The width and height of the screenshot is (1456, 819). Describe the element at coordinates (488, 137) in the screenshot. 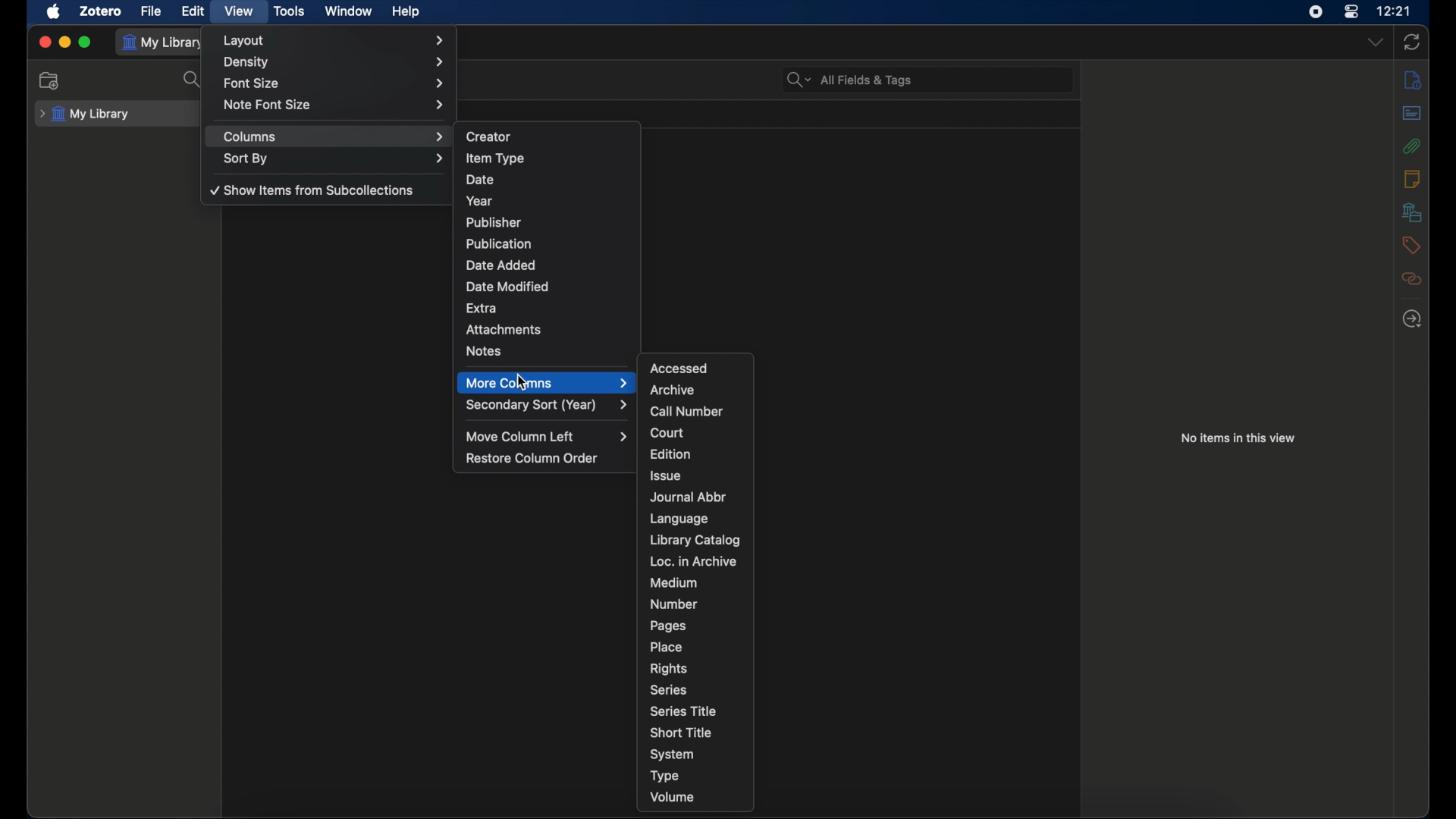

I see `creator` at that location.